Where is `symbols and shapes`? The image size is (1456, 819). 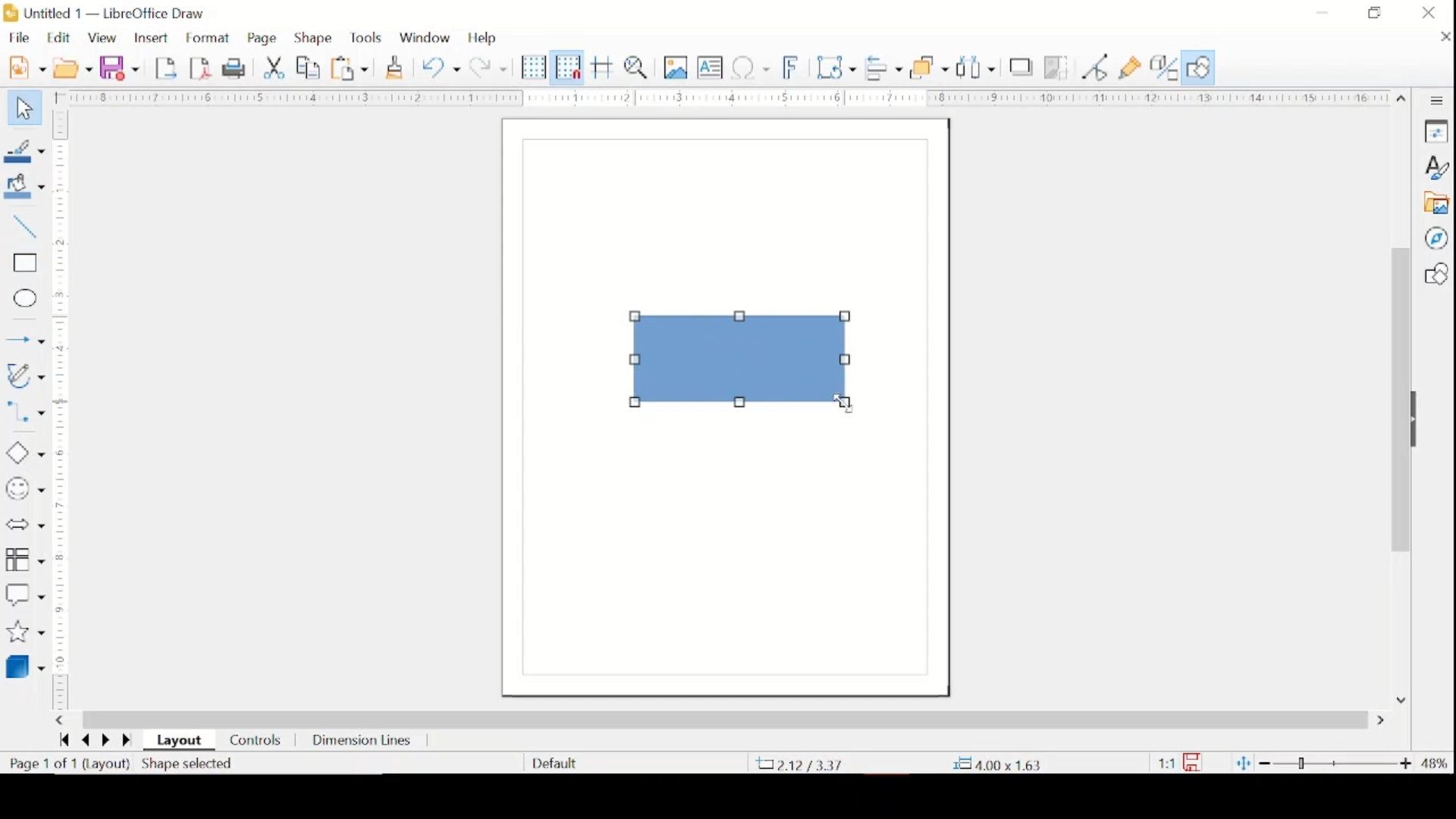 symbols and shapes is located at coordinates (24, 489).